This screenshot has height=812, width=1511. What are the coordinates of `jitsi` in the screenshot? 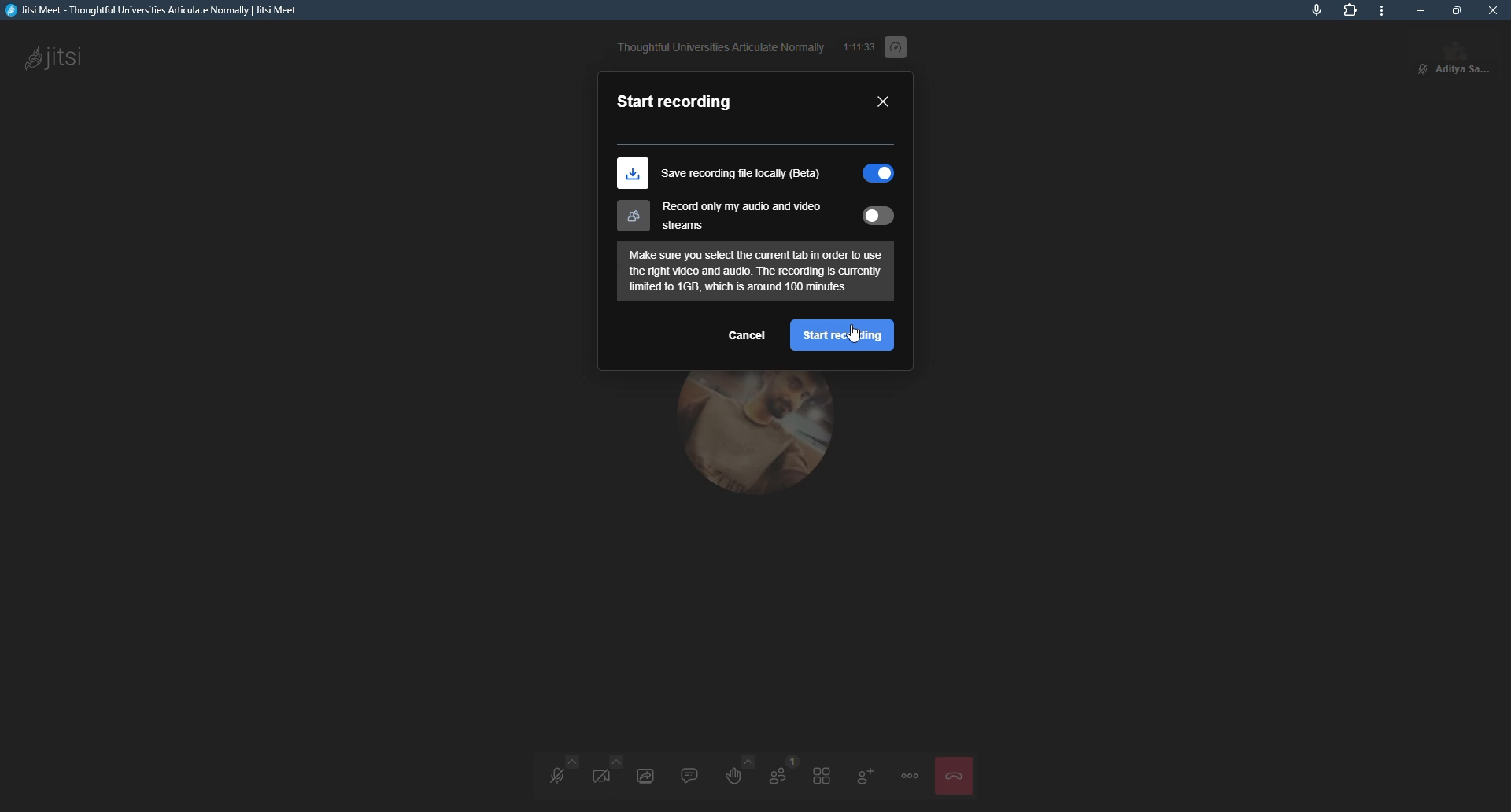 It's located at (58, 57).